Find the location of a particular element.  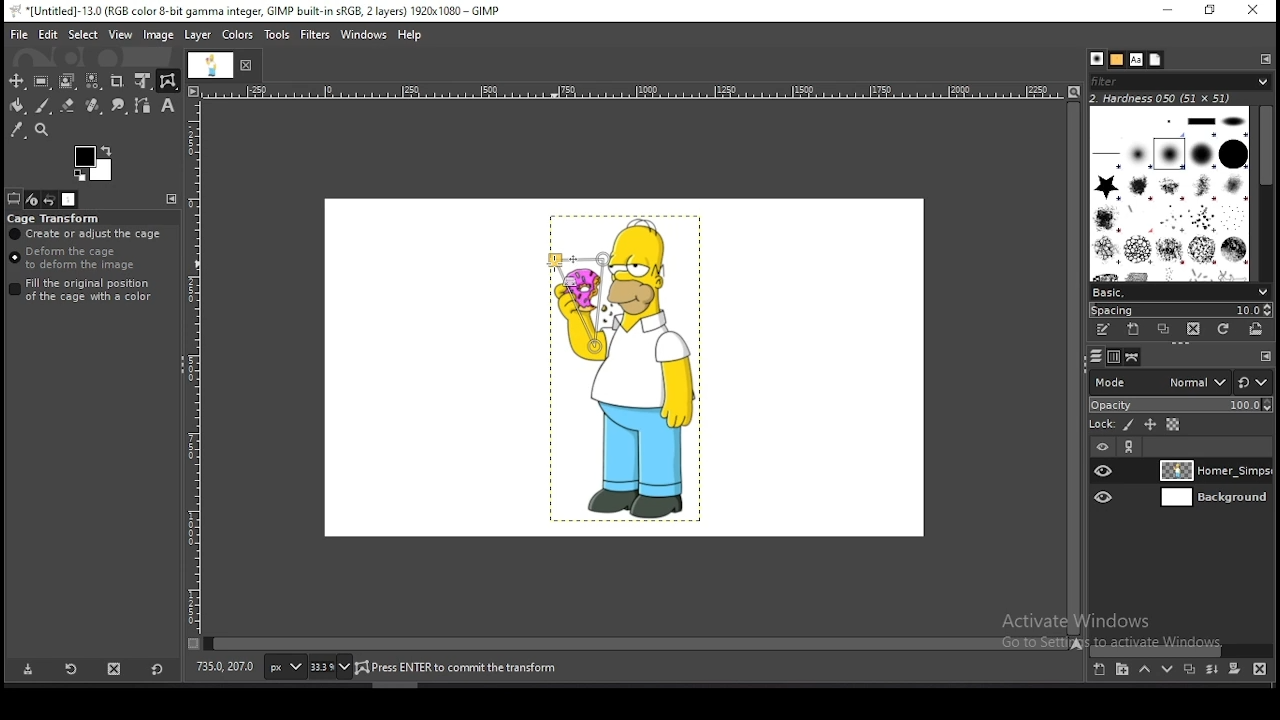

layer is located at coordinates (1213, 471).